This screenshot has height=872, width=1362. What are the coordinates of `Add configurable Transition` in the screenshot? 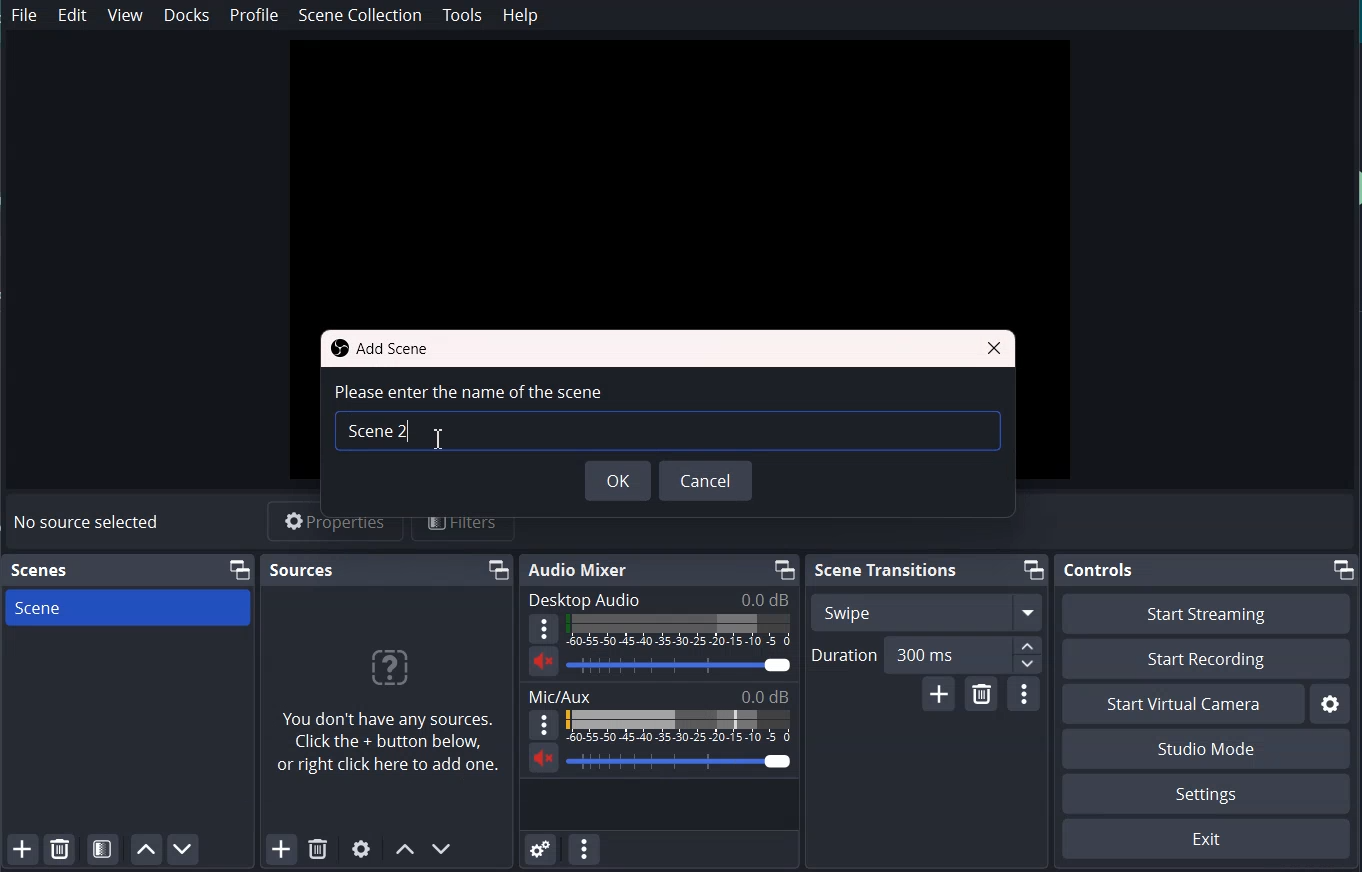 It's located at (938, 693).